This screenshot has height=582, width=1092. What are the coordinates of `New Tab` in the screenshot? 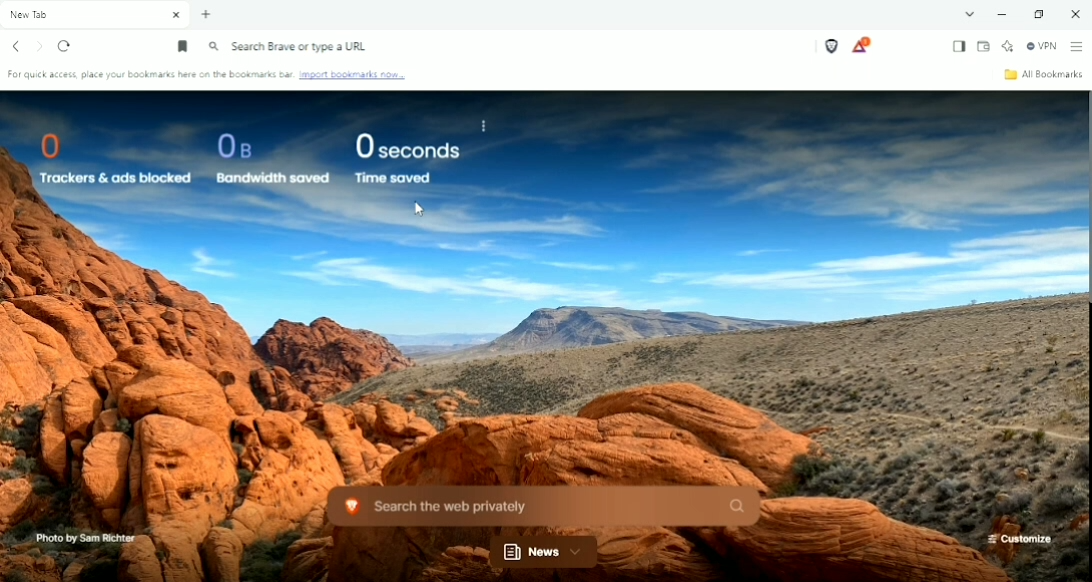 It's located at (206, 15).